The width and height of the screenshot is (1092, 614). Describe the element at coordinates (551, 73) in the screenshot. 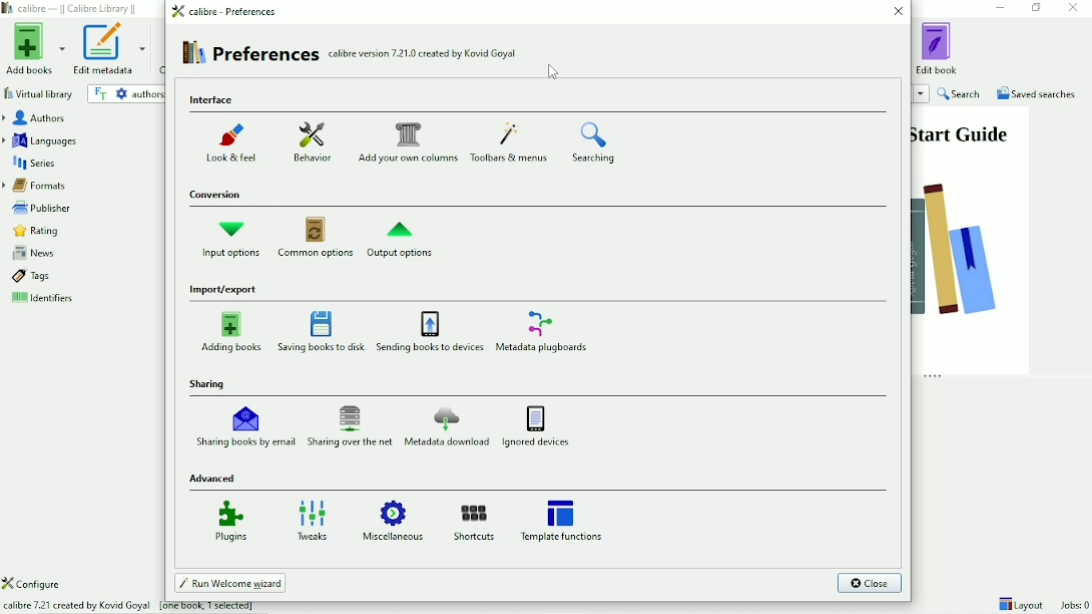

I see `Cursor` at that location.